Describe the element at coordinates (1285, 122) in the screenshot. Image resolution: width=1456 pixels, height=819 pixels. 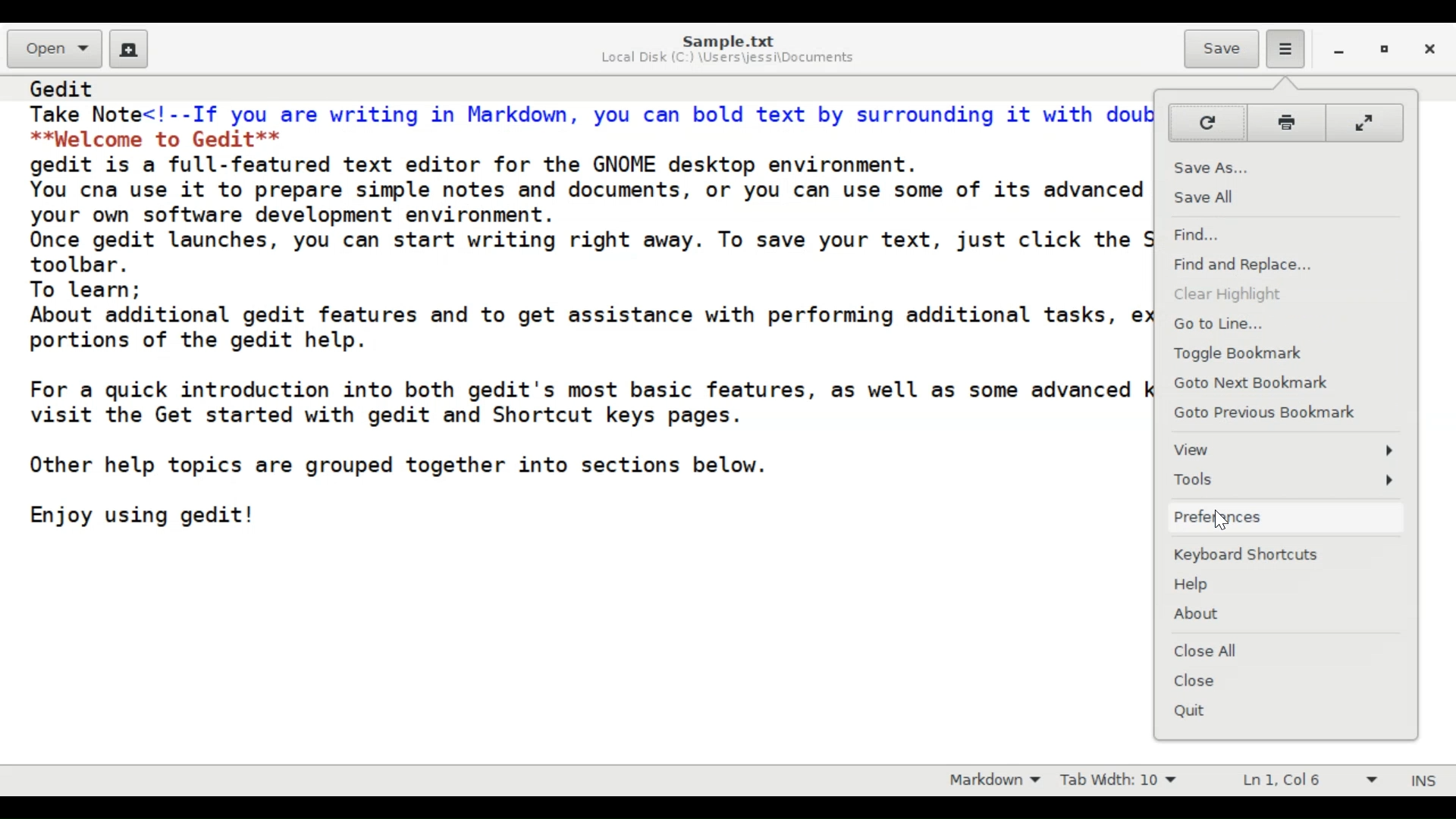
I see `Print` at that location.